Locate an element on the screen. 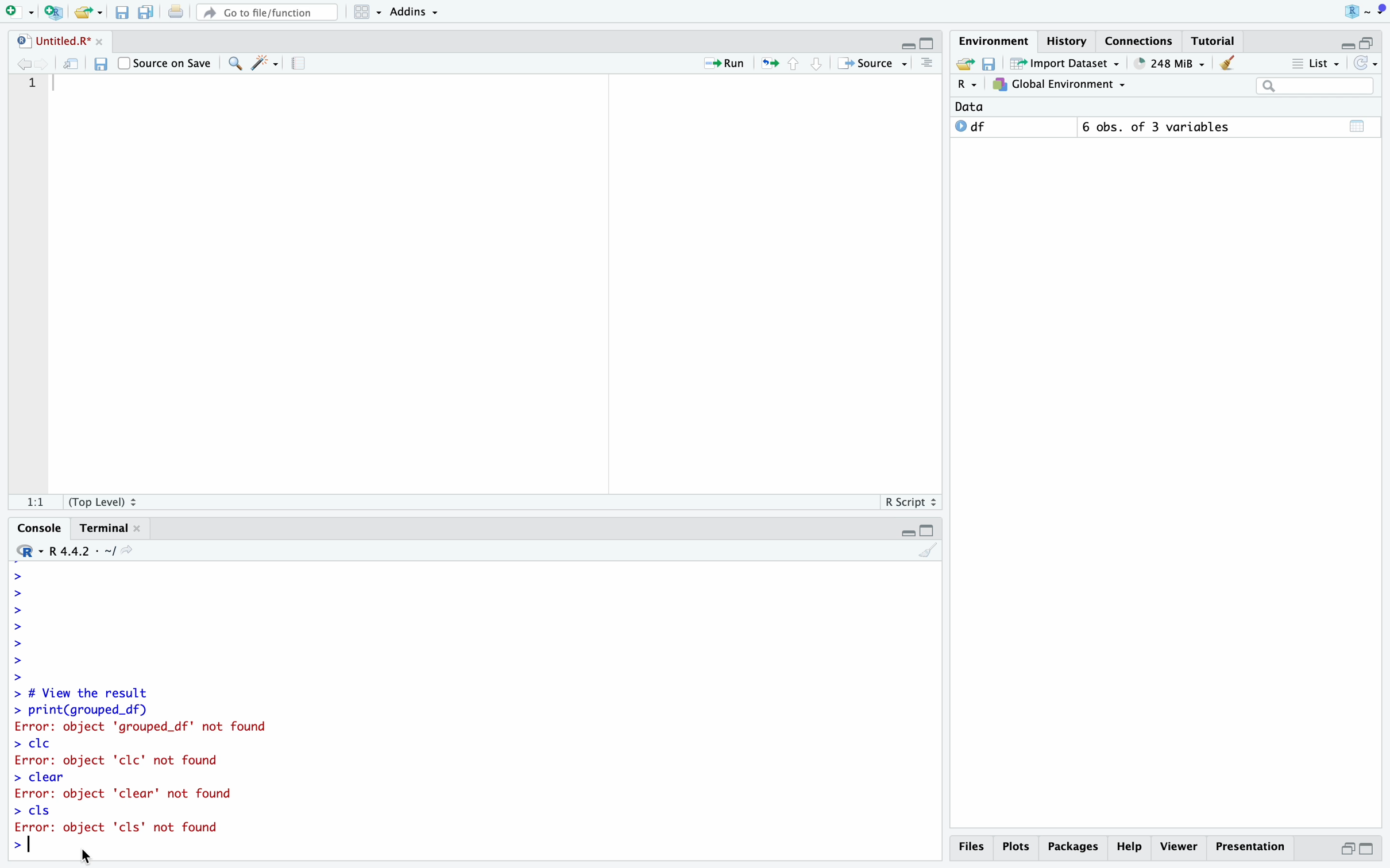 The width and height of the screenshot is (1390, 868). Code Tools is located at coordinates (265, 63).